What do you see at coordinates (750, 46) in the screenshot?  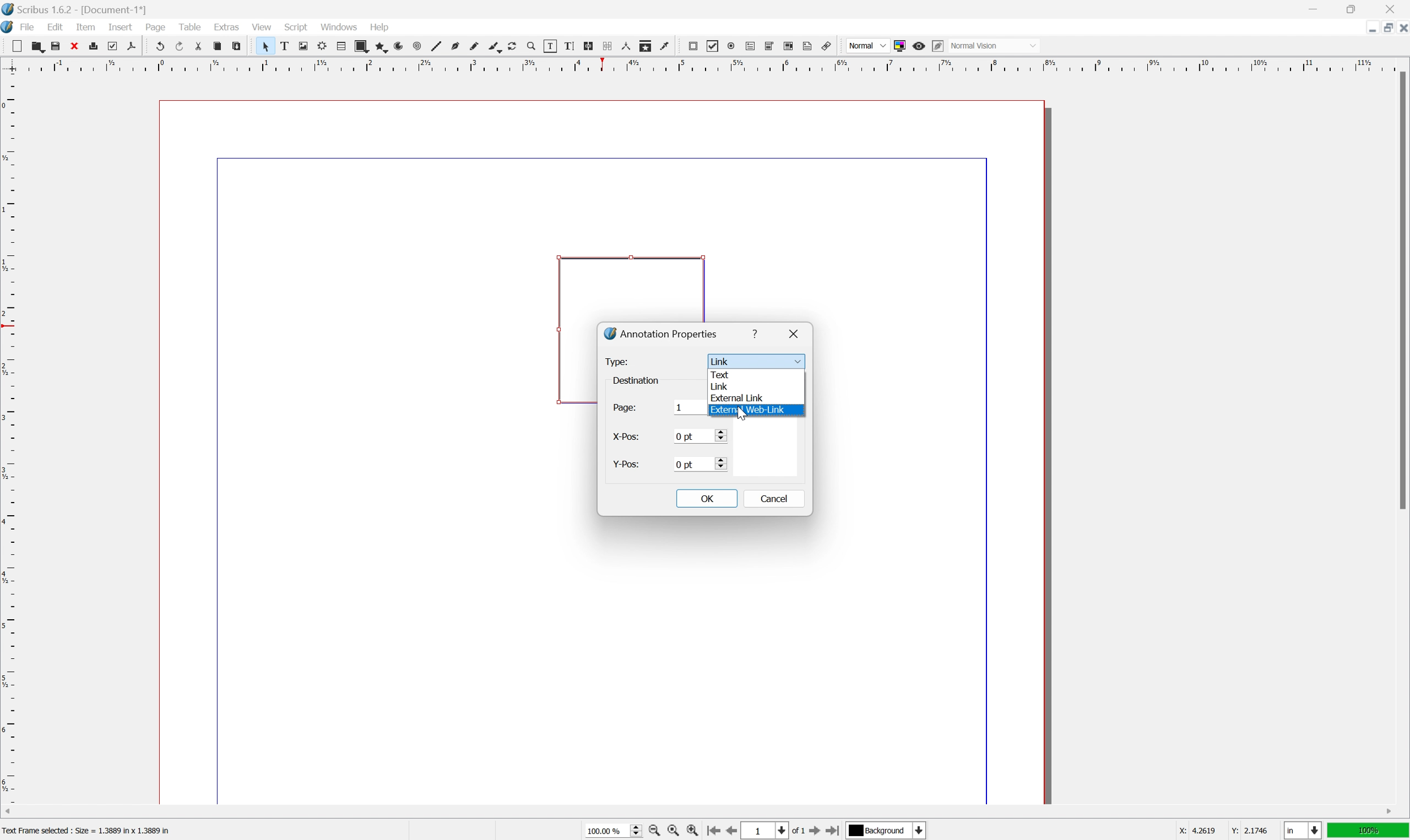 I see `pdf text field` at bounding box center [750, 46].